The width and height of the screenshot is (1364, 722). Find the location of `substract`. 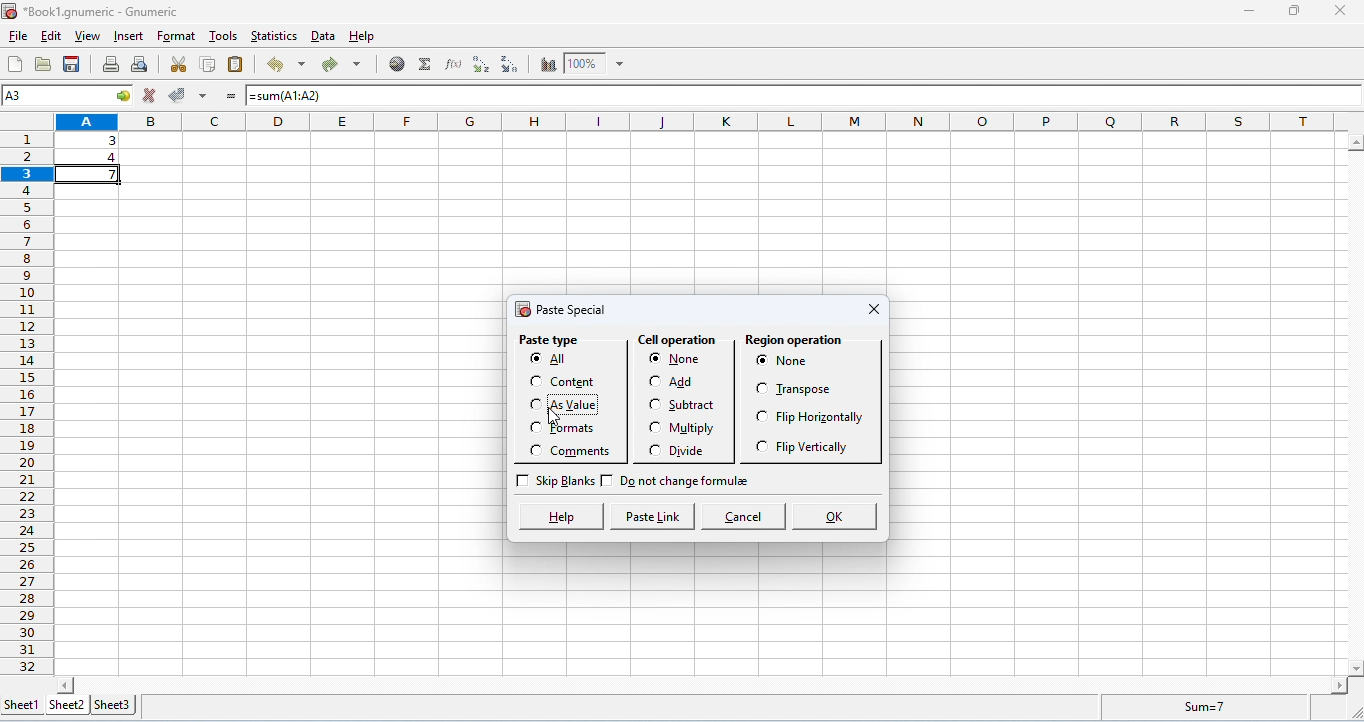

substract is located at coordinates (699, 404).